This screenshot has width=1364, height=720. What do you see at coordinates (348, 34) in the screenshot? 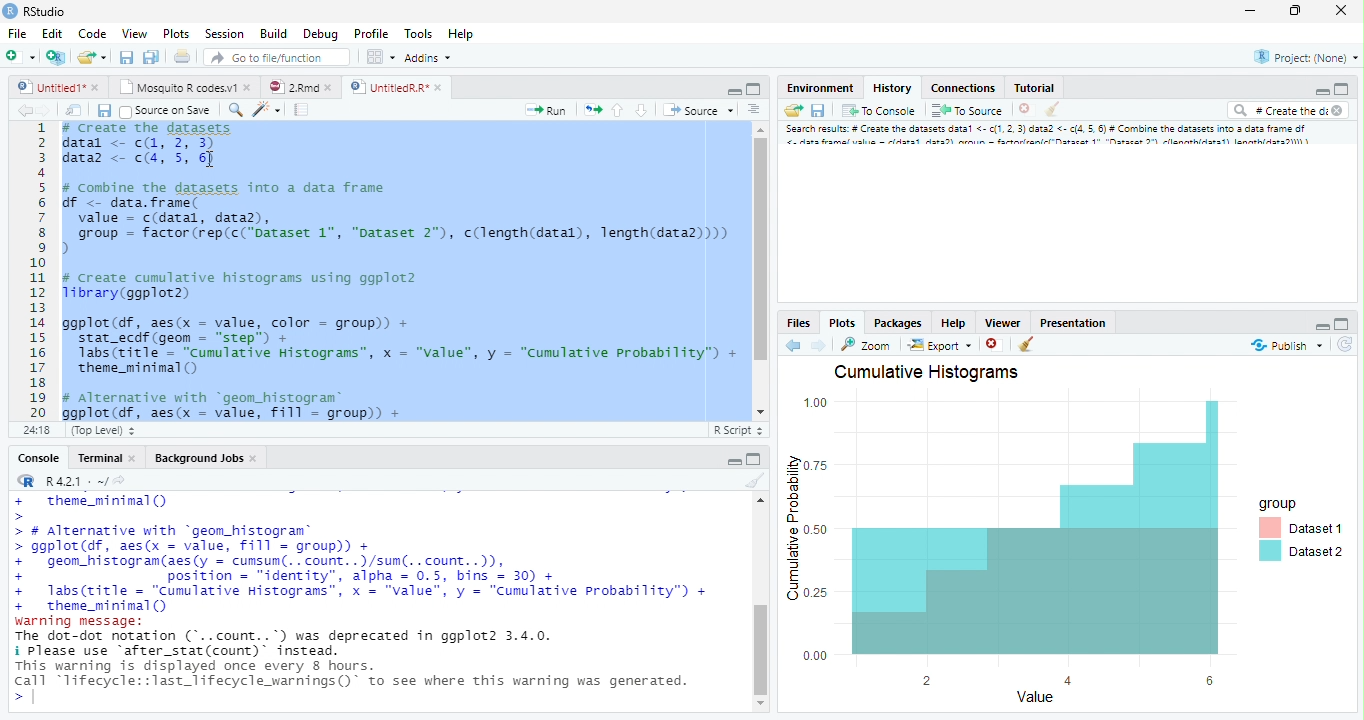
I see `Debug` at bounding box center [348, 34].